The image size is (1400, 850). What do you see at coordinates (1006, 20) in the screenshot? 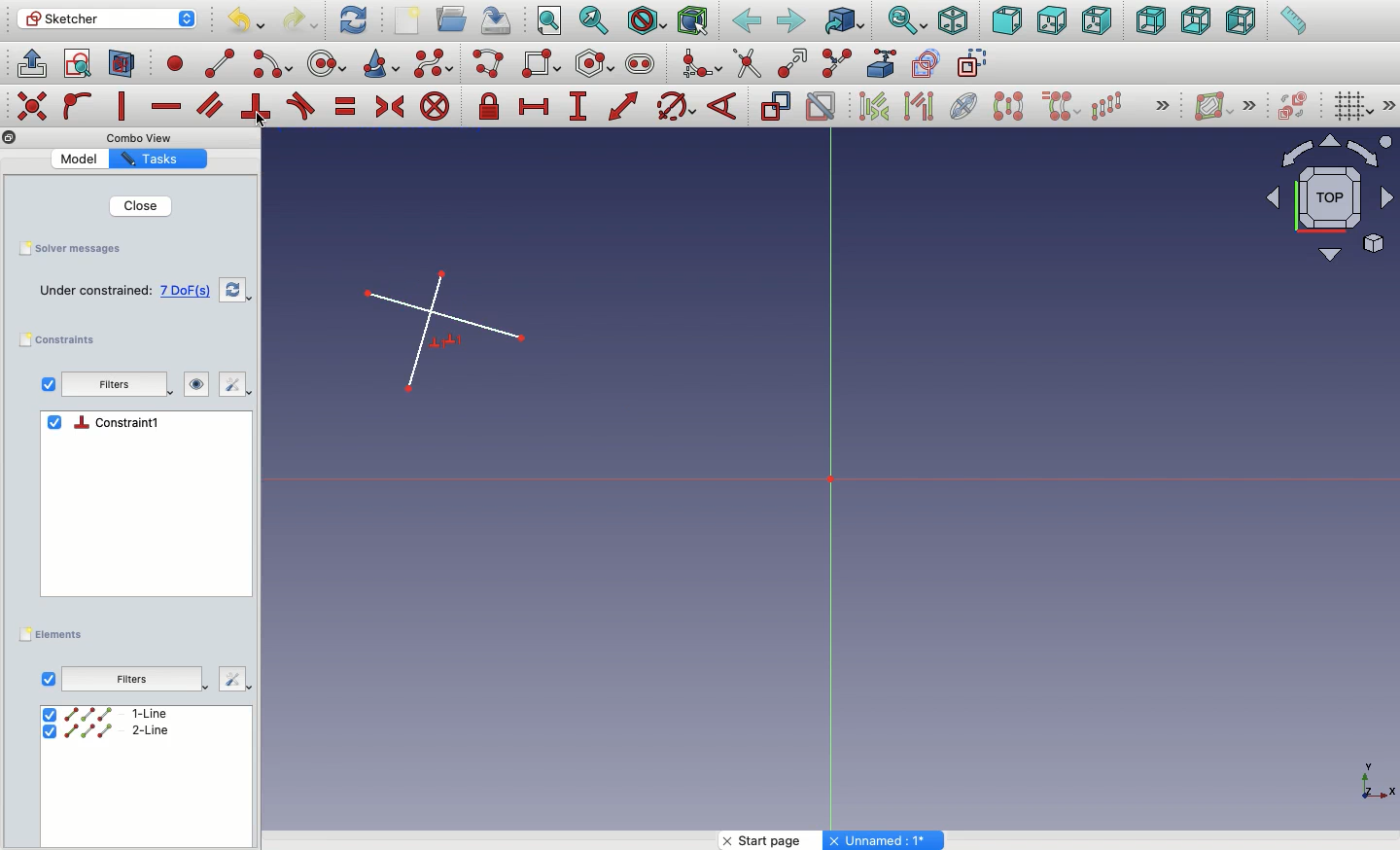
I see `Front` at bounding box center [1006, 20].